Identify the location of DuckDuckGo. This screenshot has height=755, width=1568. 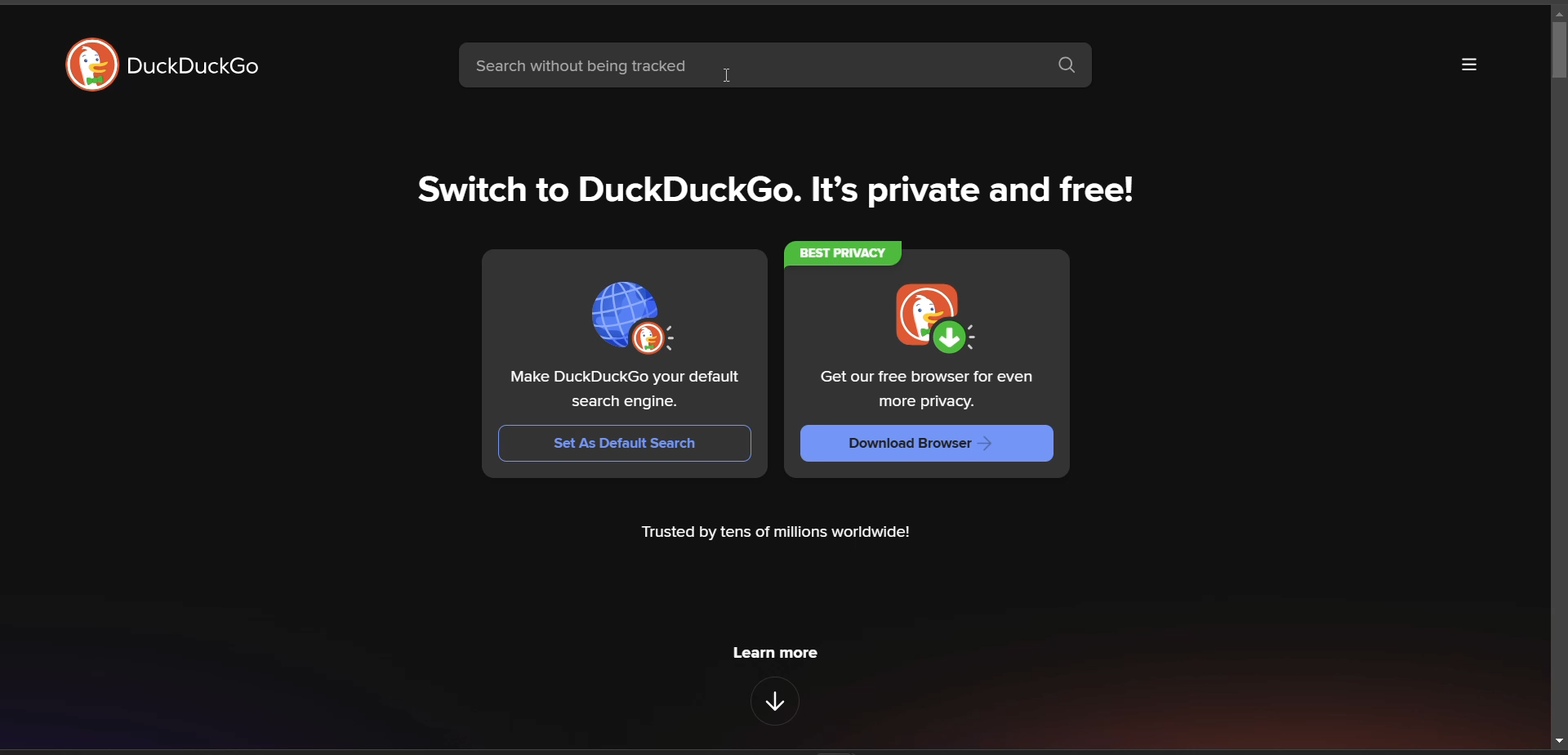
(197, 67).